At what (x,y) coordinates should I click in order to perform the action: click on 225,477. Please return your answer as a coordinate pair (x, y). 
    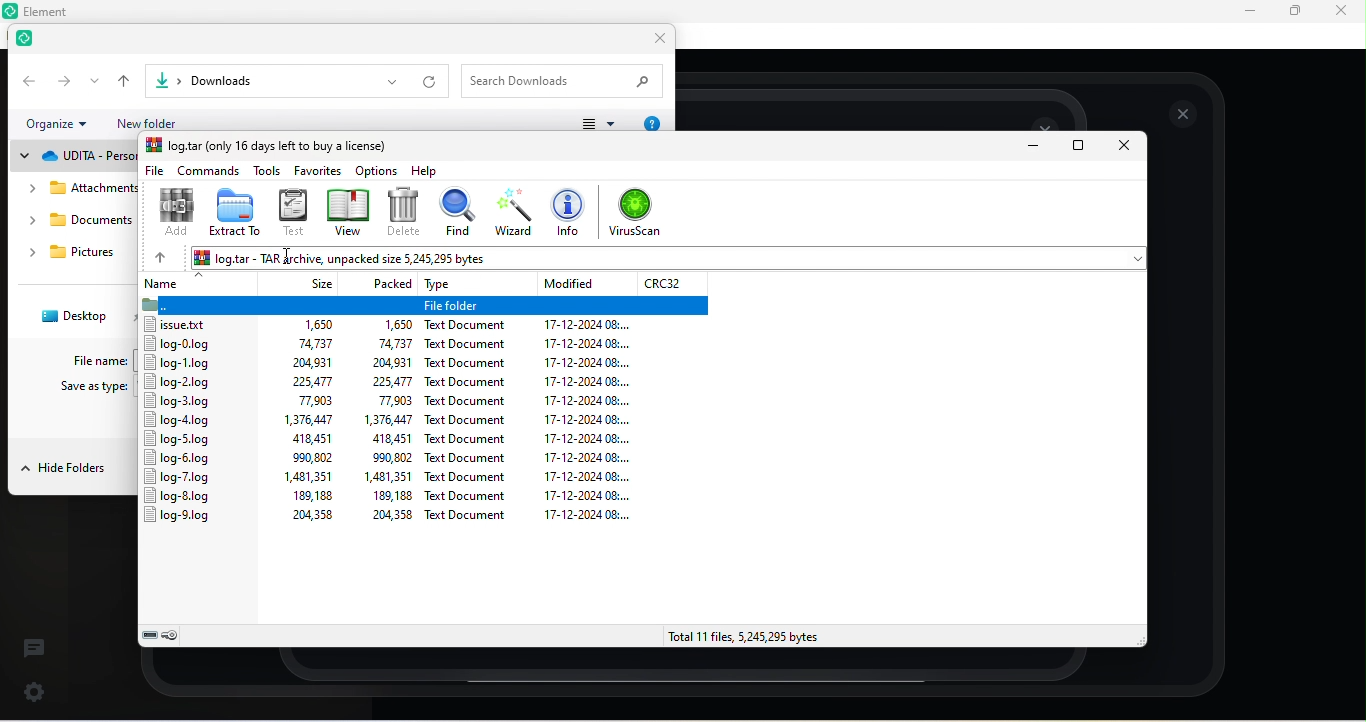
    Looking at the image, I should click on (390, 379).